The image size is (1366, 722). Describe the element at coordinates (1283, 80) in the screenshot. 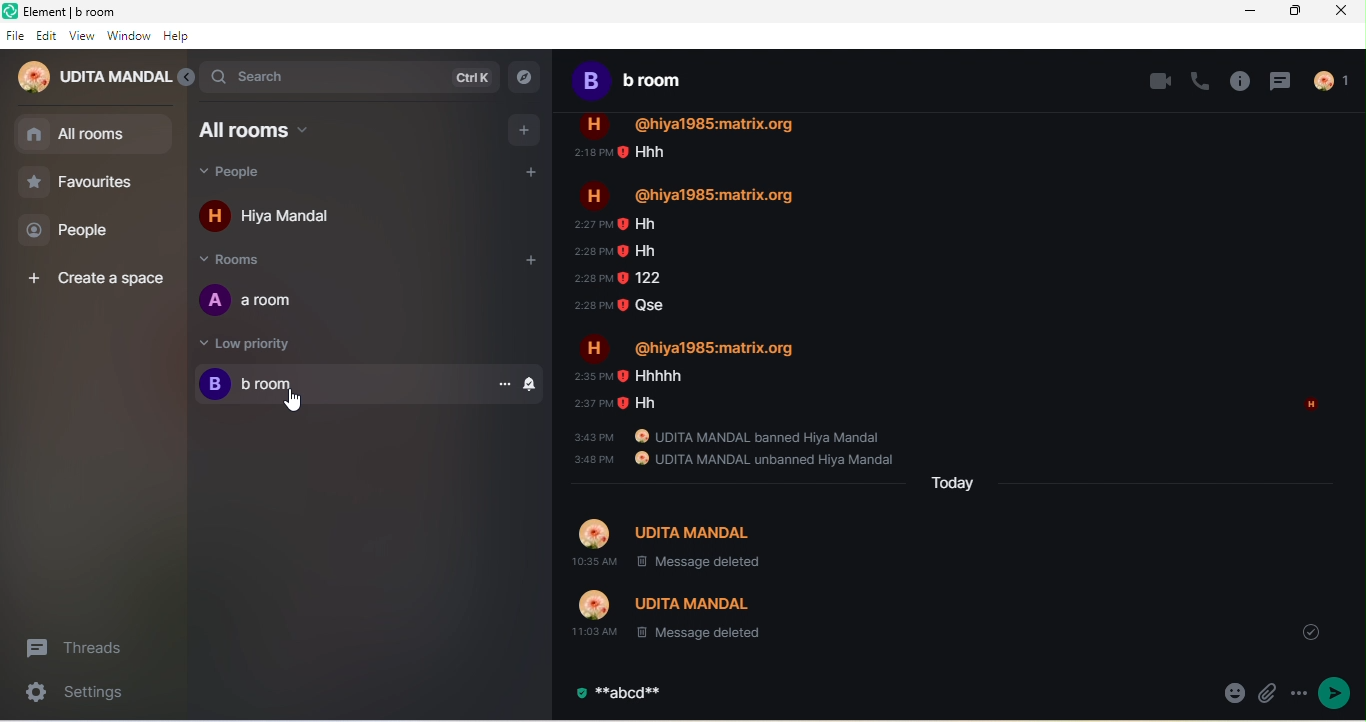

I see `threads` at that location.